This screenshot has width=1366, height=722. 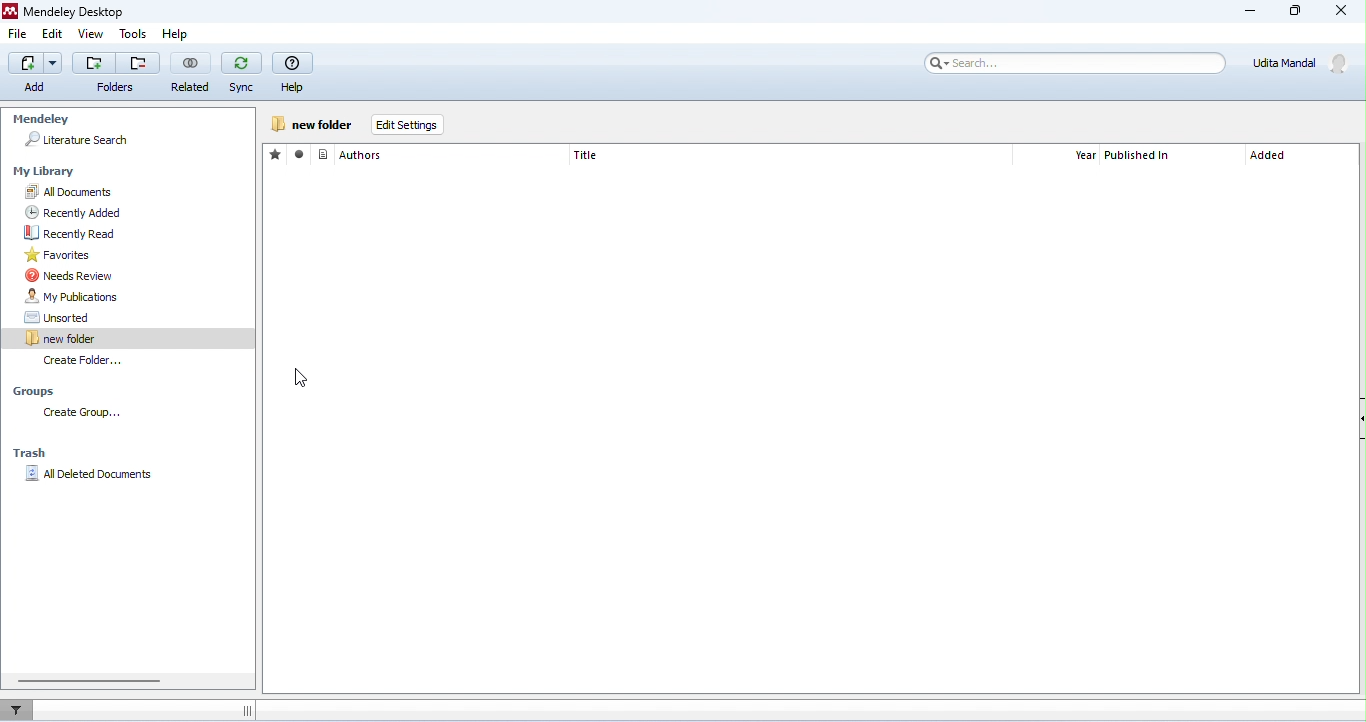 I want to click on drag to expand, so click(x=246, y=711).